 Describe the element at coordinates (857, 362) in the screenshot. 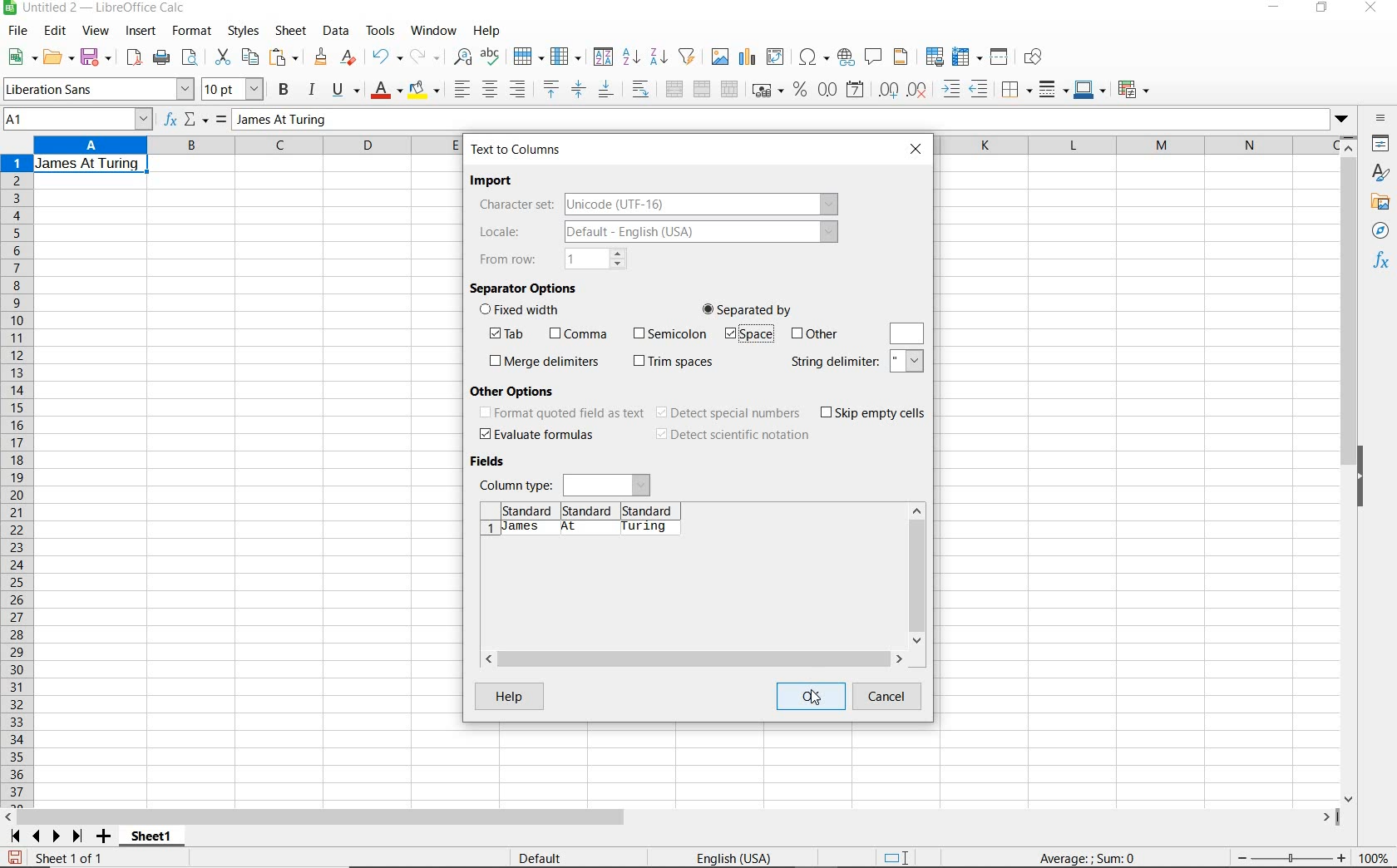

I see `string delimiter` at that location.